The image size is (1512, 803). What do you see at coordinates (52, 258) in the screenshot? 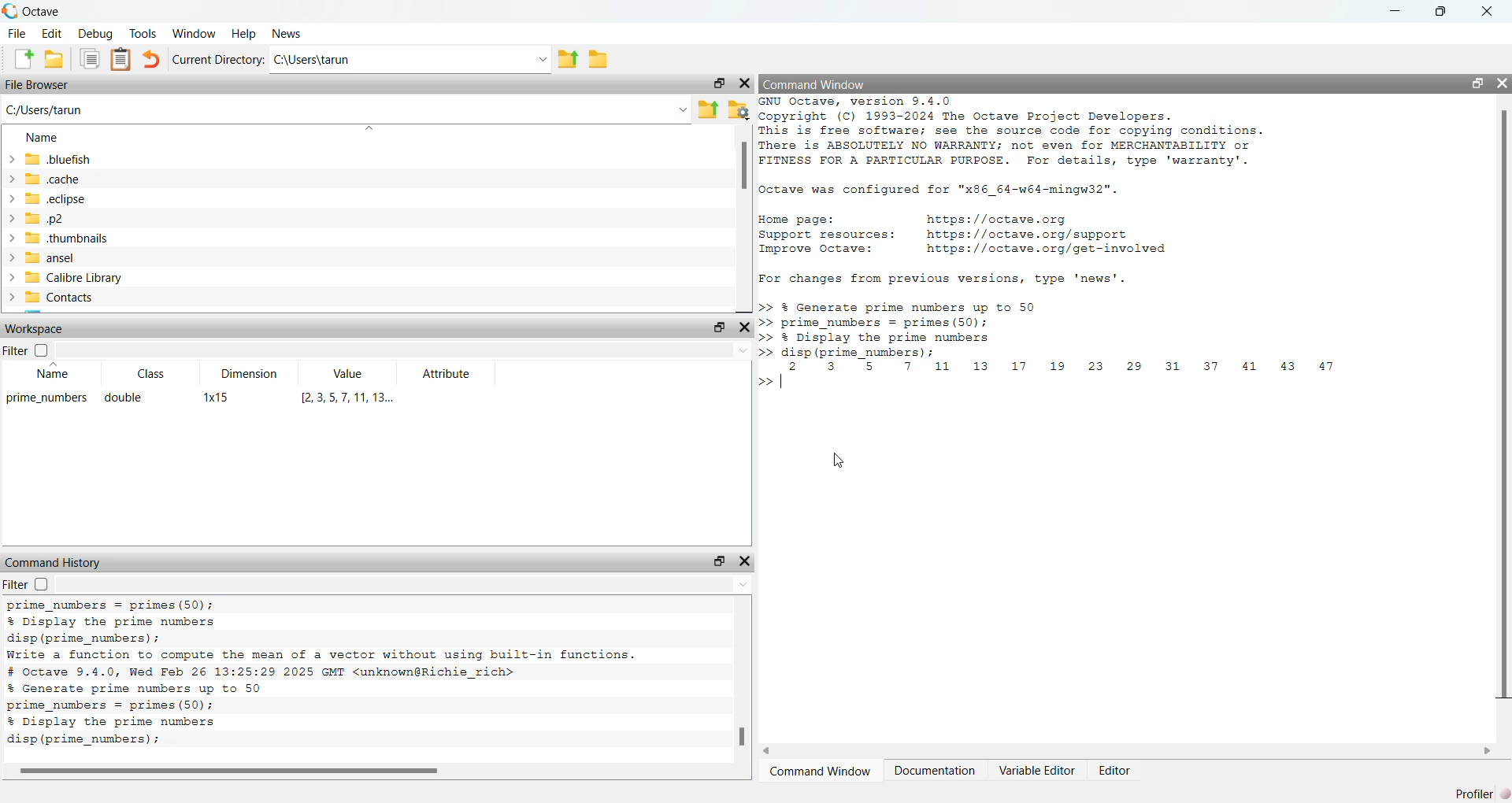
I see `ansel` at bounding box center [52, 258].